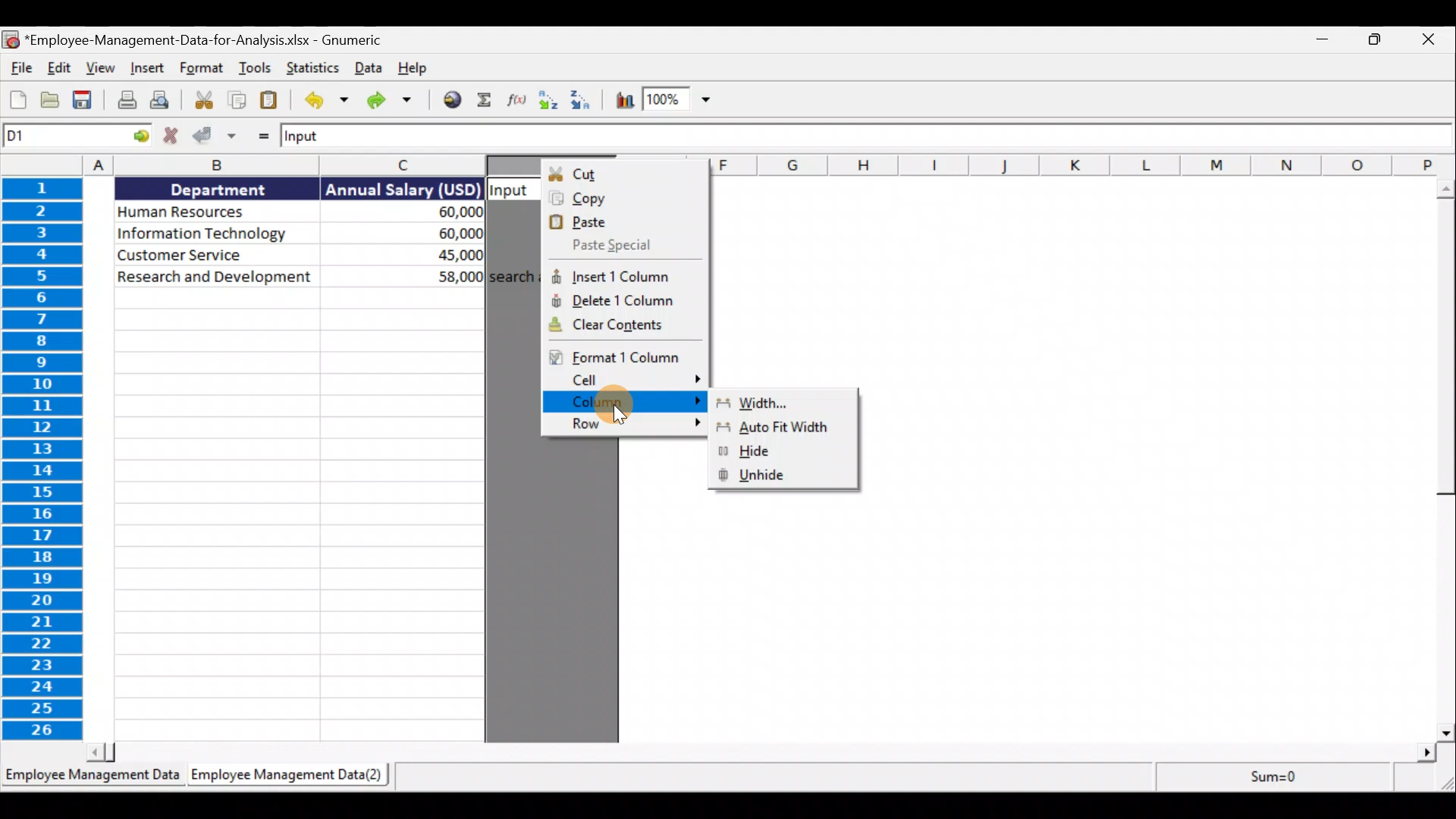 This screenshot has width=1456, height=819. What do you see at coordinates (17, 102) in the screenshot?
I see `Create a new workbook` at bounding box center [17, 102].